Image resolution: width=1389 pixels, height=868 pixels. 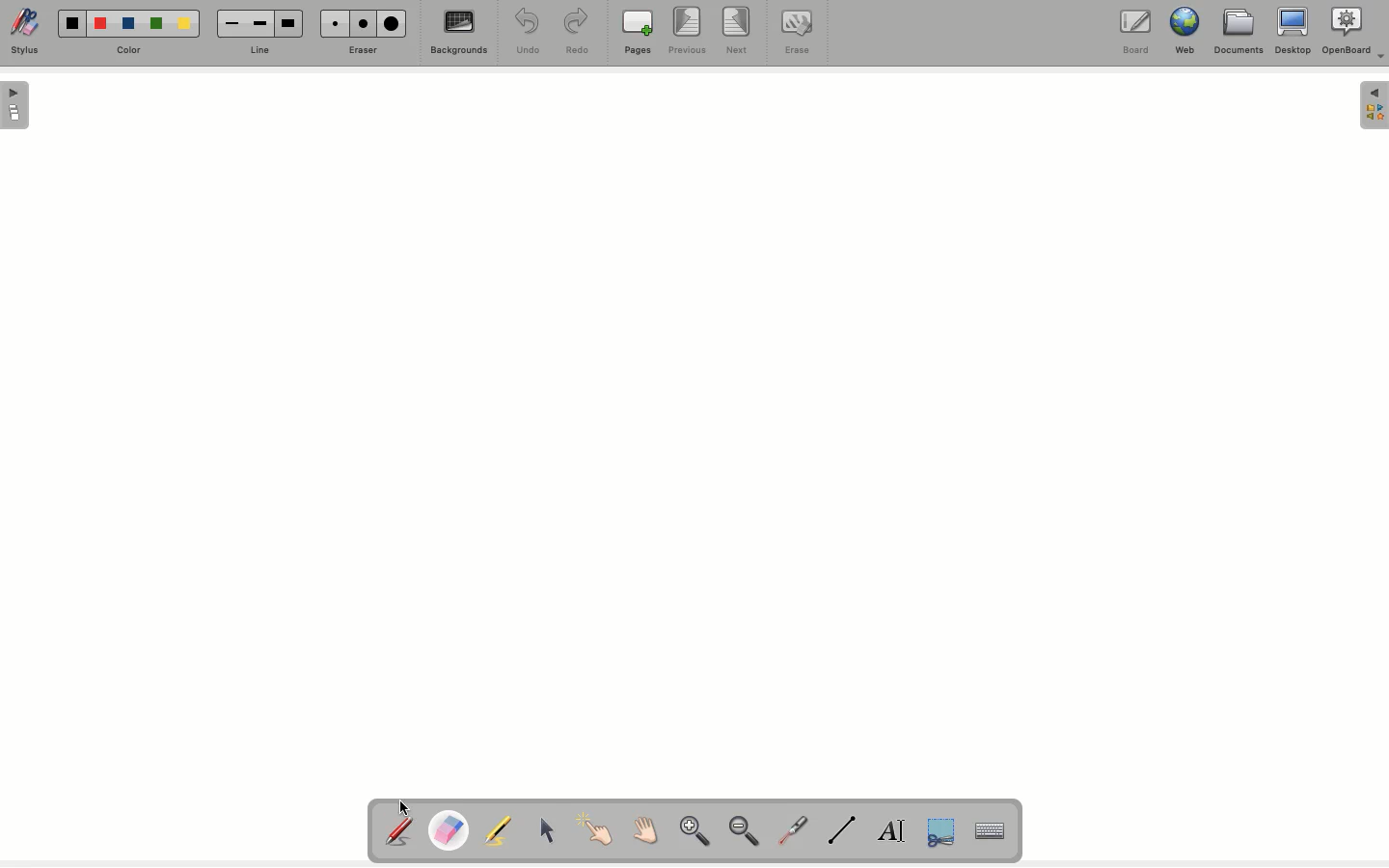 What do you see at coordinates (1355, 33) in the screenshot?
I see `OpenBoard` at bounding box center [1355, 33].